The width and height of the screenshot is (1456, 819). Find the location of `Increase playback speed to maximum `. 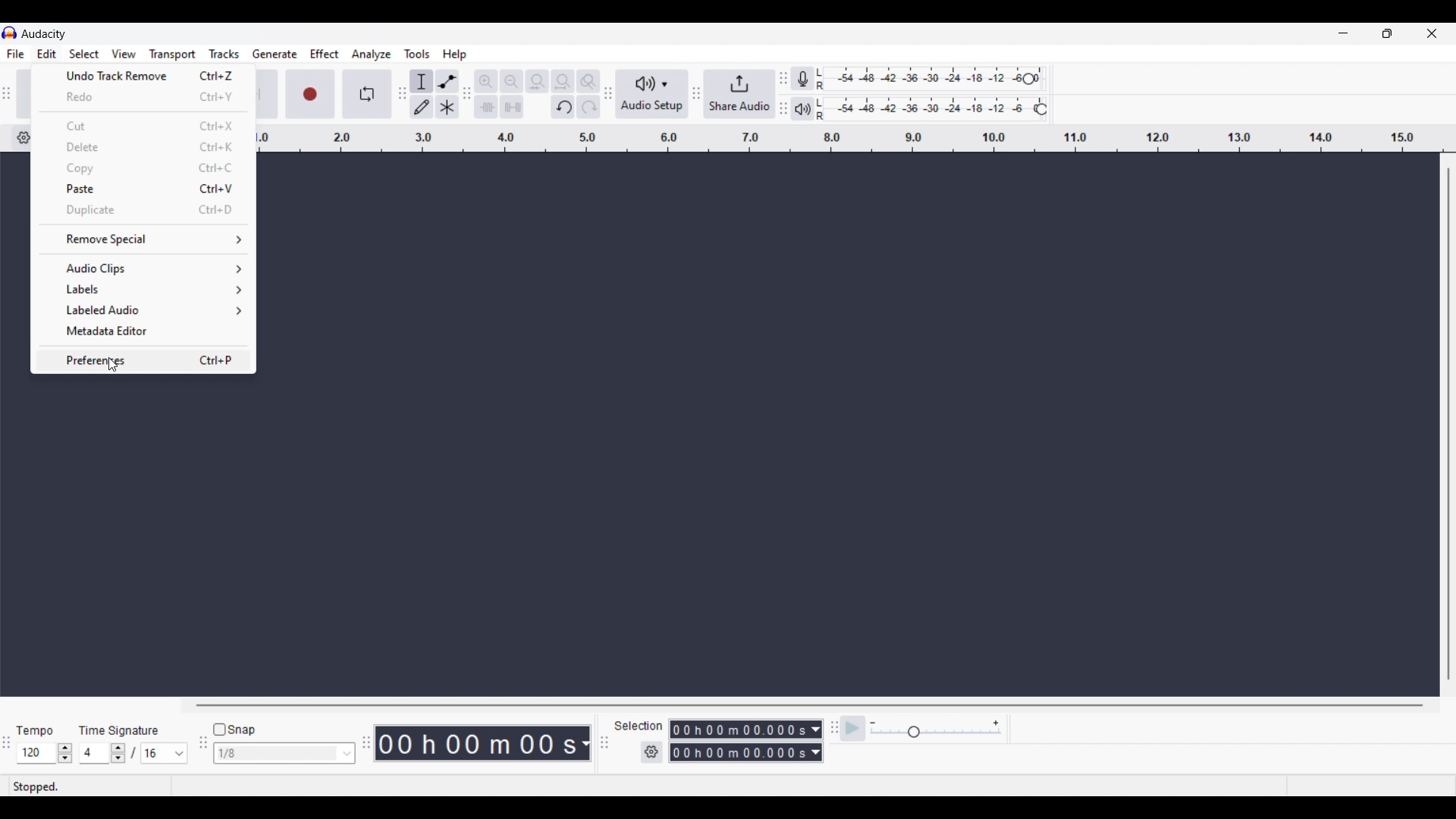

Increase playback speed to maximum  is located at coordinates (996, 723).